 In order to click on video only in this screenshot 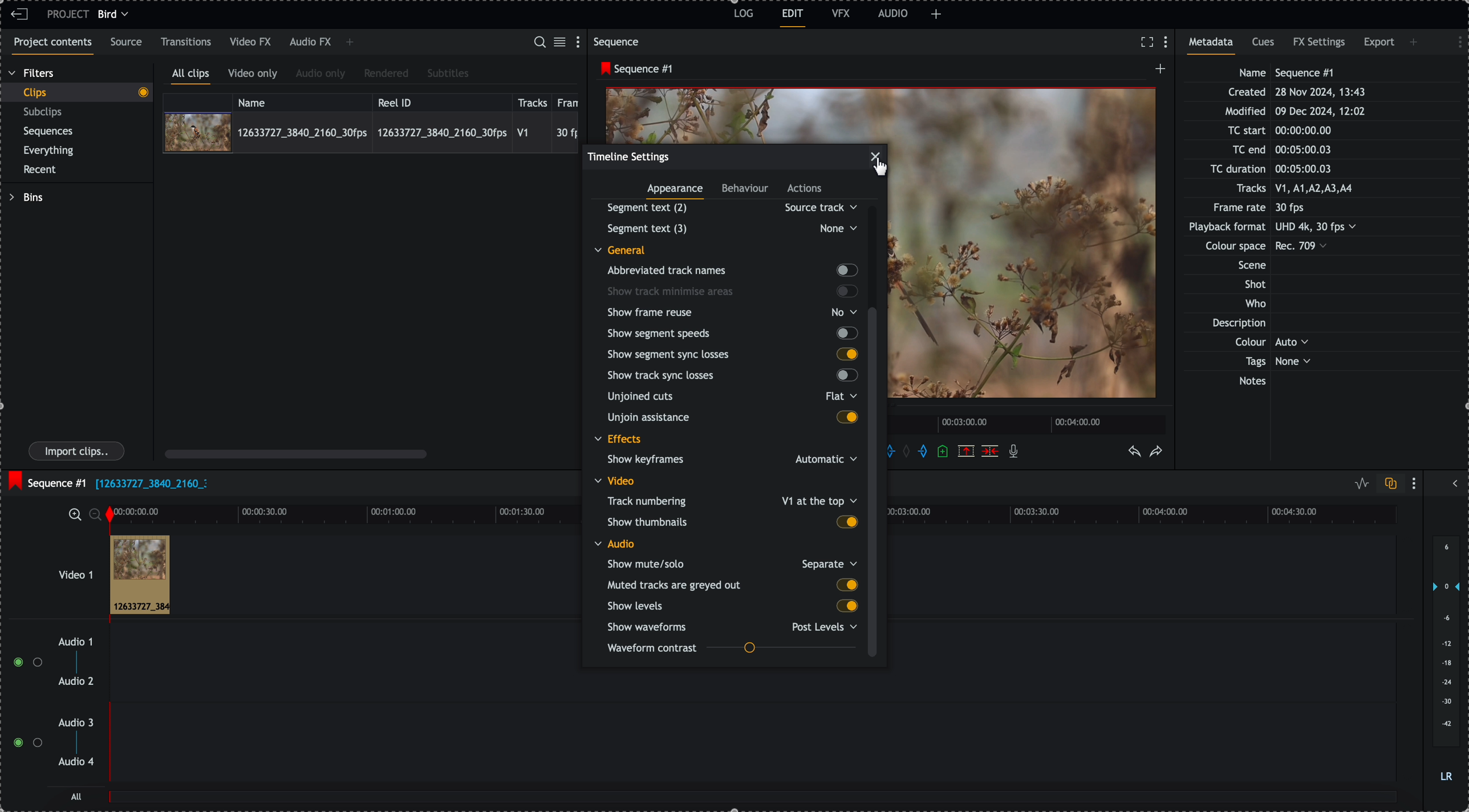, I will do `click(255, 75)`.